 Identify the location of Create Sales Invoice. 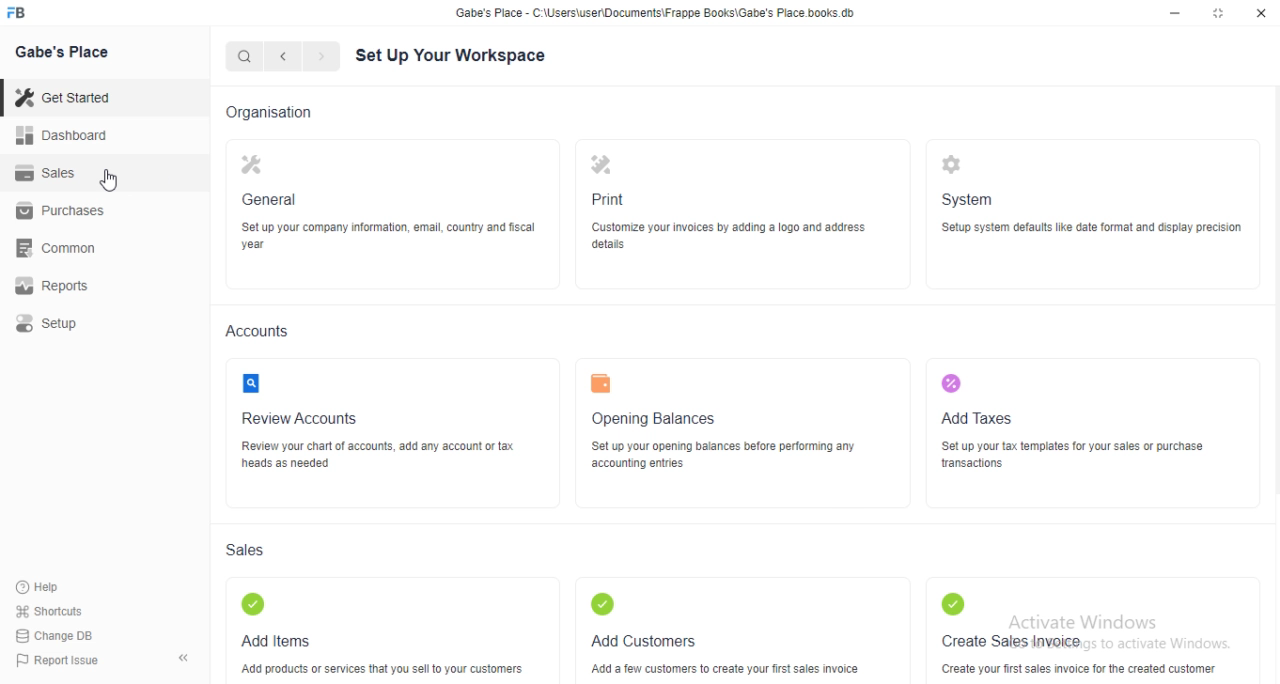
(1011, 641).